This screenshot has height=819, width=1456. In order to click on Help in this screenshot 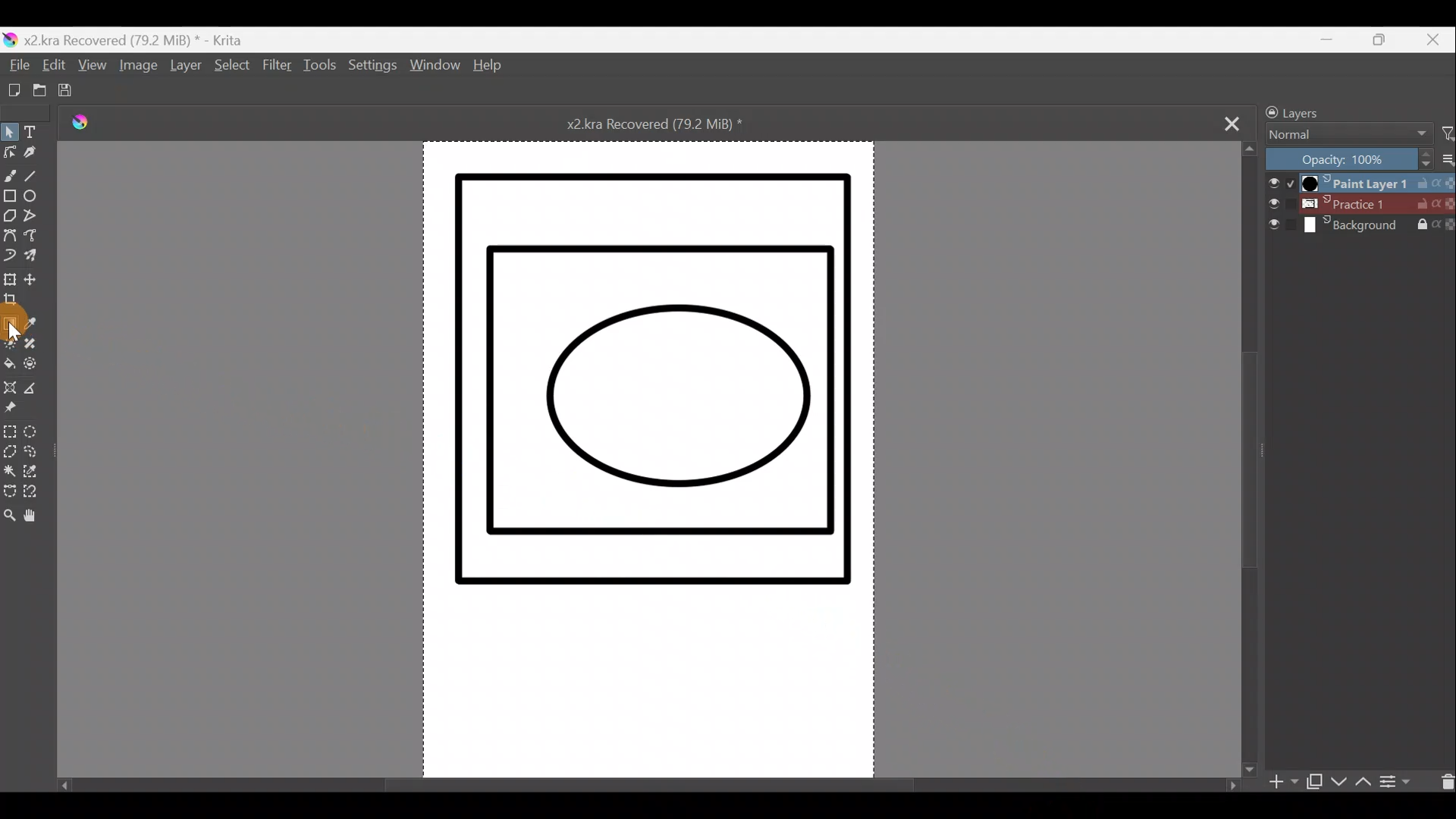, I will do `click(488, 67)`.